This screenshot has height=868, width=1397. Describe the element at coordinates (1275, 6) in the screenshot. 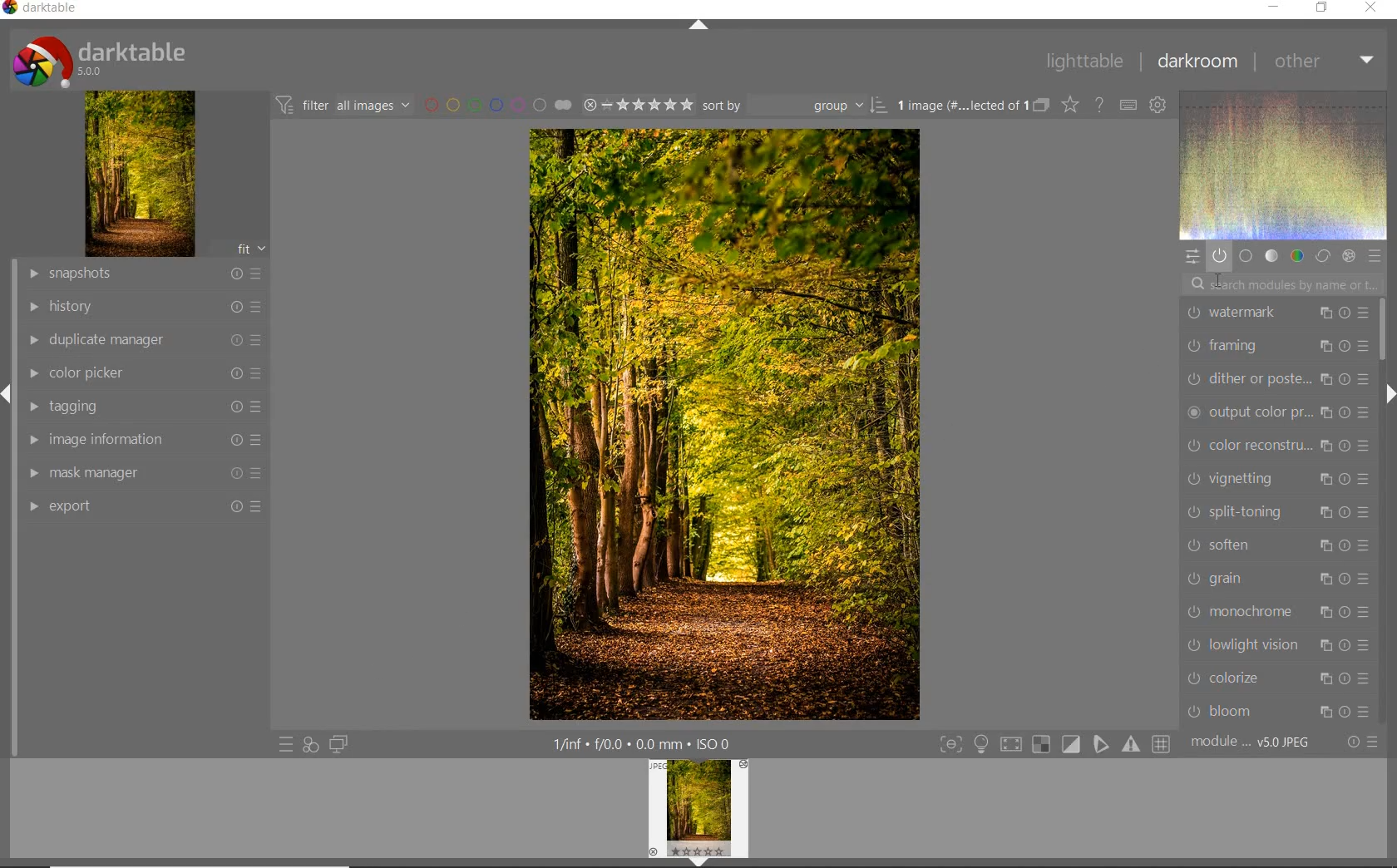

I see `minimize` at that location.